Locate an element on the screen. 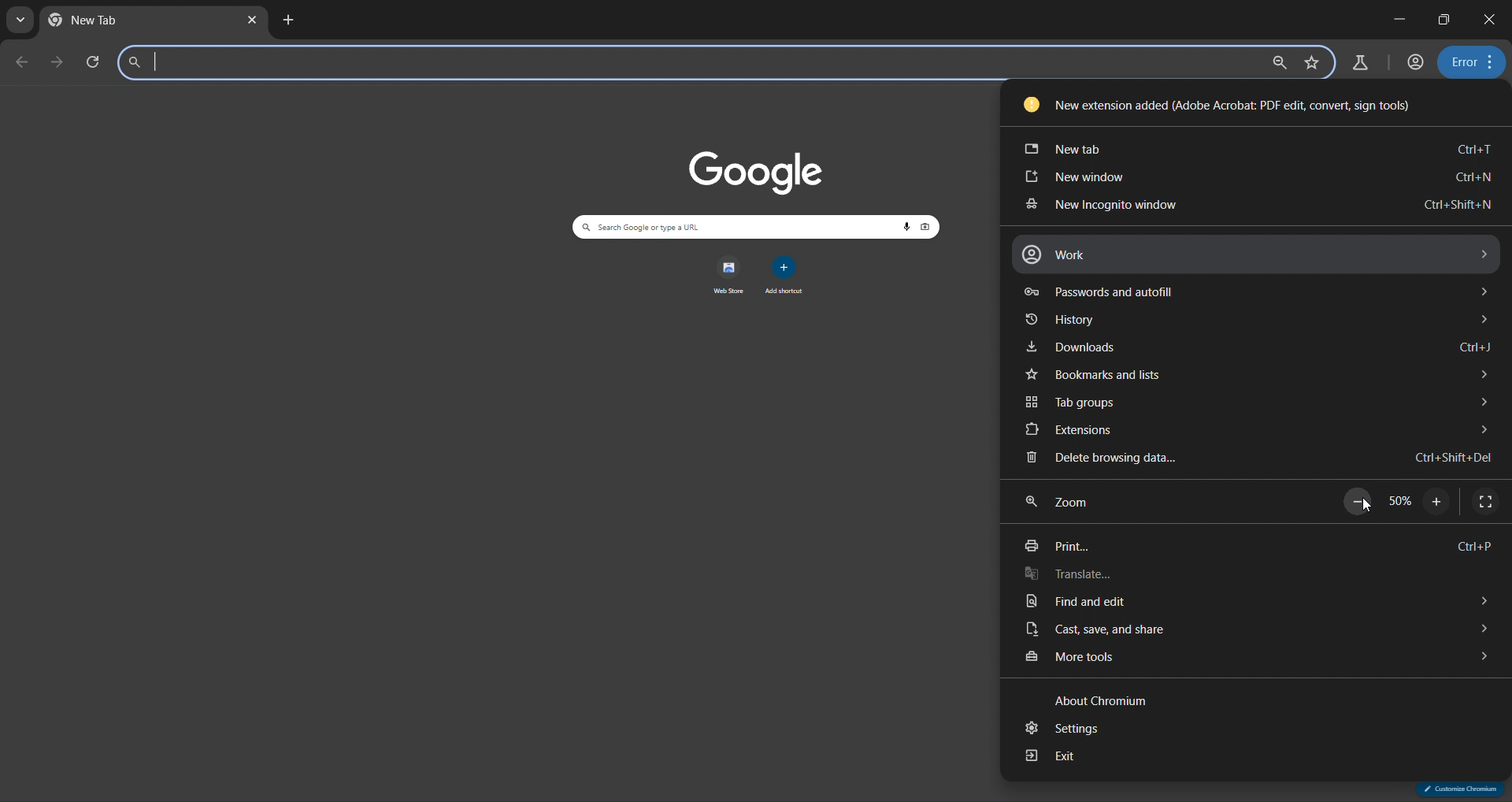 This screenshot has height=802, width=1512. restore down is located at coordinates (1445, 19).